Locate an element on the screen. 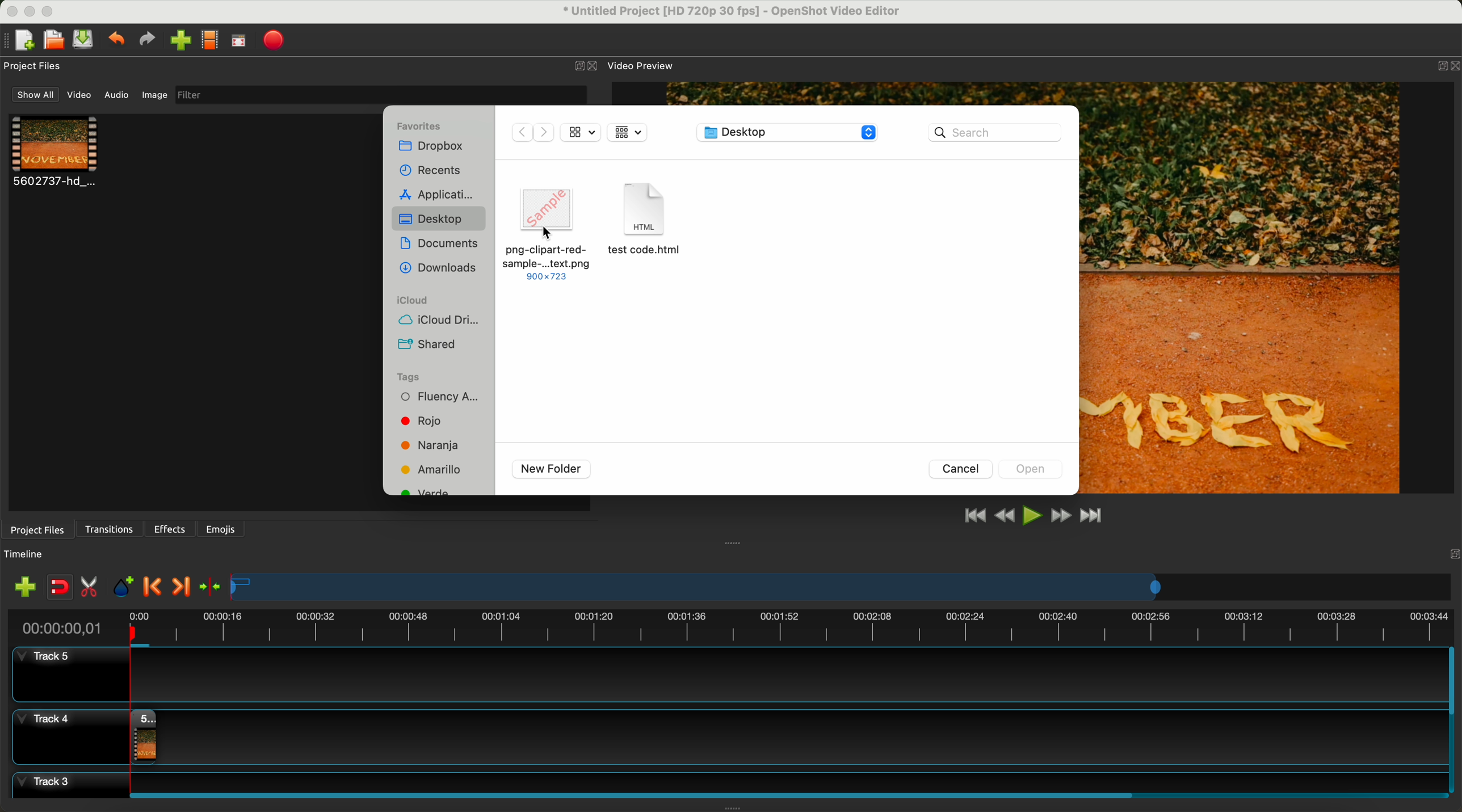  emojis is located at coordinates (221, 527).